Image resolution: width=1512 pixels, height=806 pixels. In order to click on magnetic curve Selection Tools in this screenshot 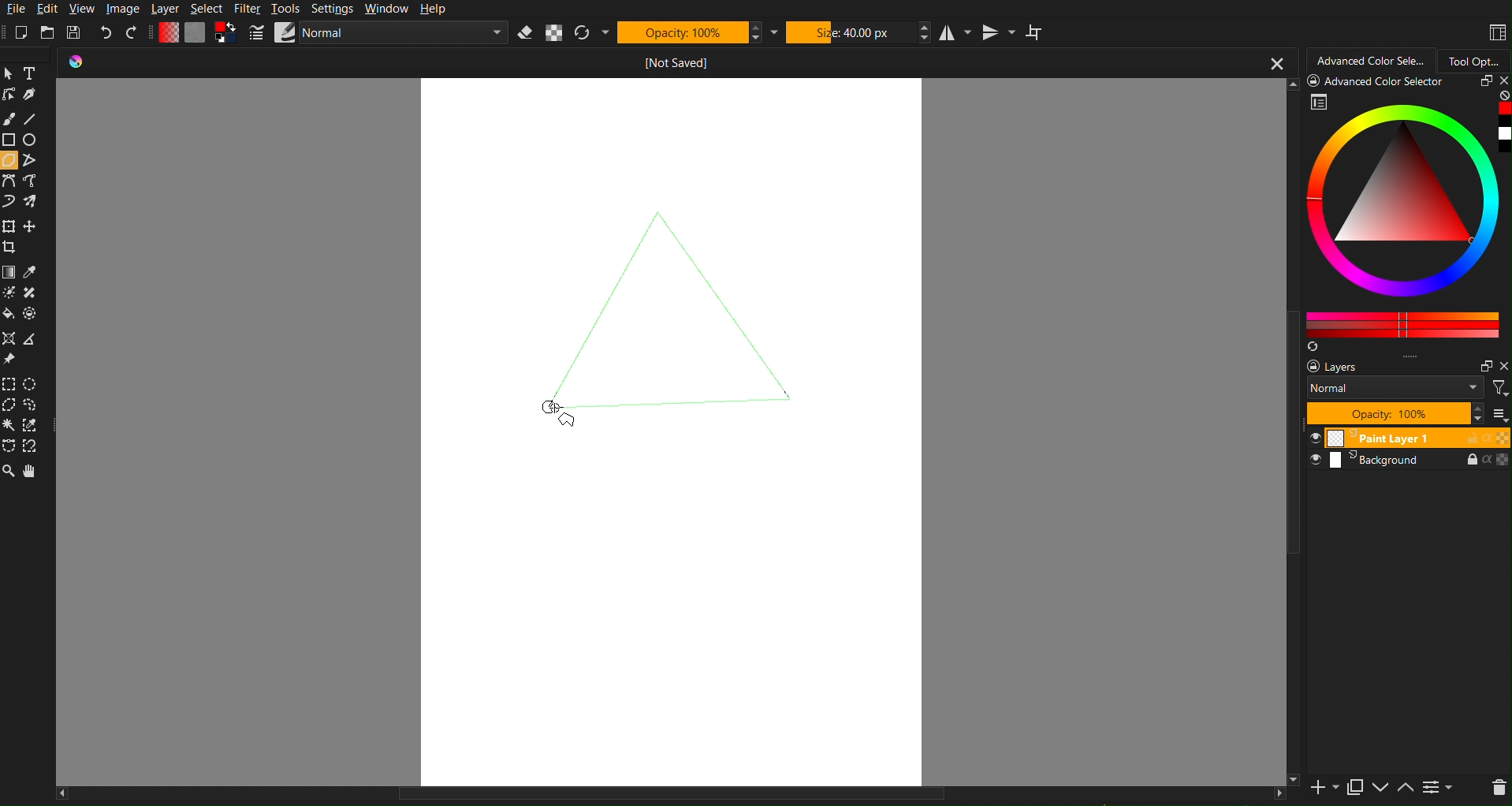, I will do `click(33, 447)`.